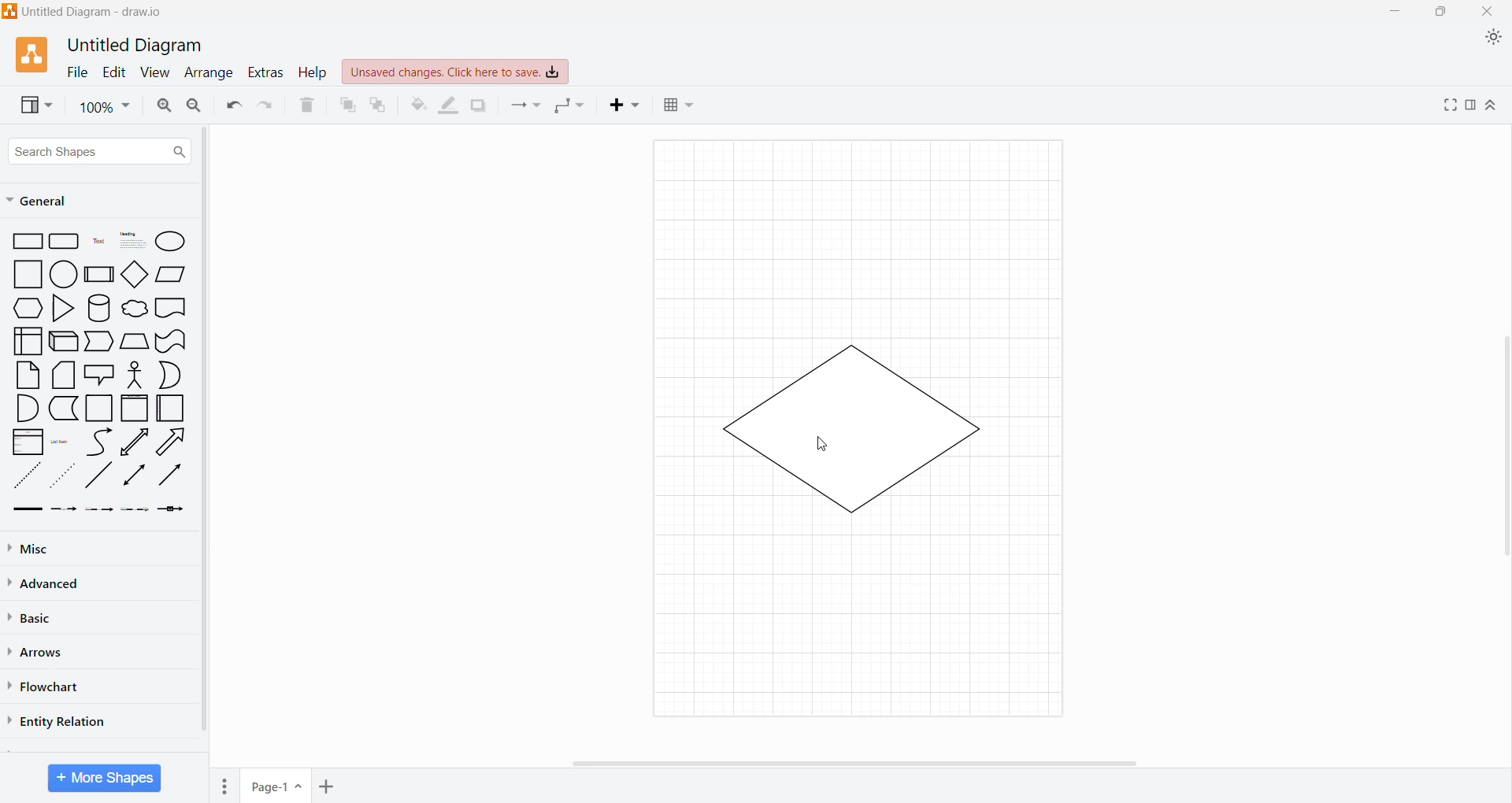  What do you see at coordinates (65, 408) in the screenshot?
I see `Data Storage` at bounding box center [65, 408].